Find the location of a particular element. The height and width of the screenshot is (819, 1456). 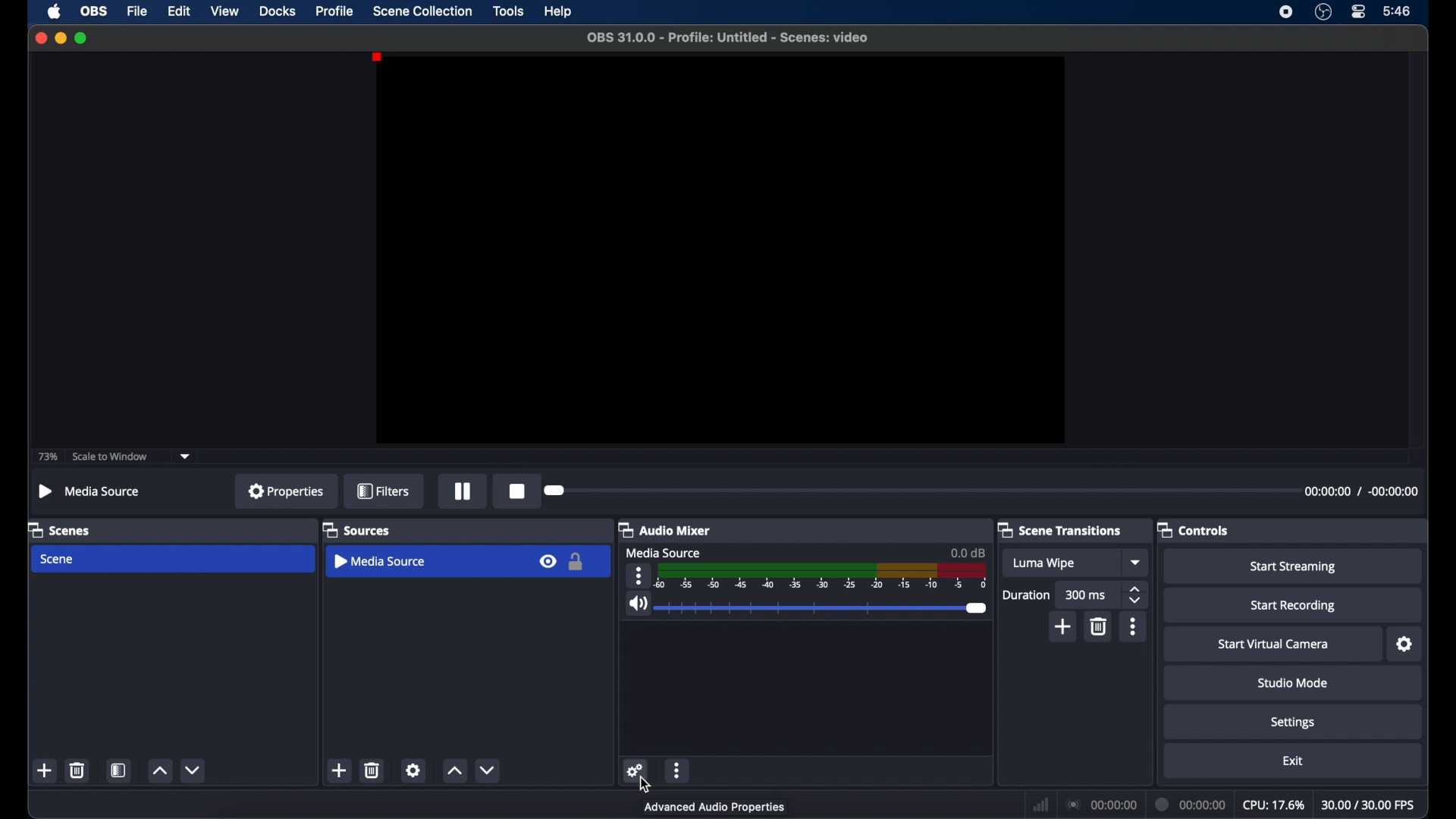

scene collection is located at coordinates (423, 11).